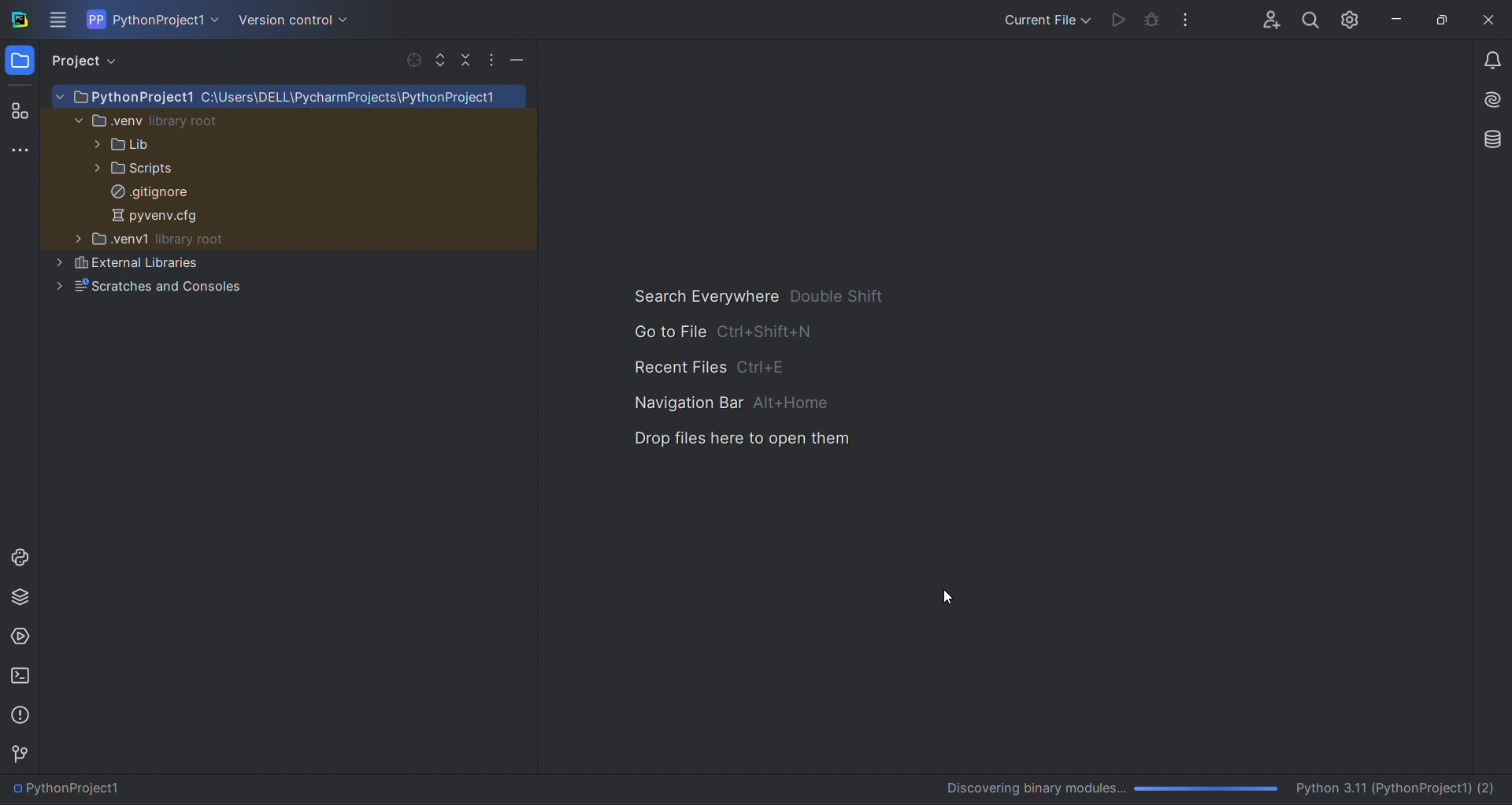  Describe the element at coordinates (952, 595) in the screenshot. I see `Cursor` at that location.